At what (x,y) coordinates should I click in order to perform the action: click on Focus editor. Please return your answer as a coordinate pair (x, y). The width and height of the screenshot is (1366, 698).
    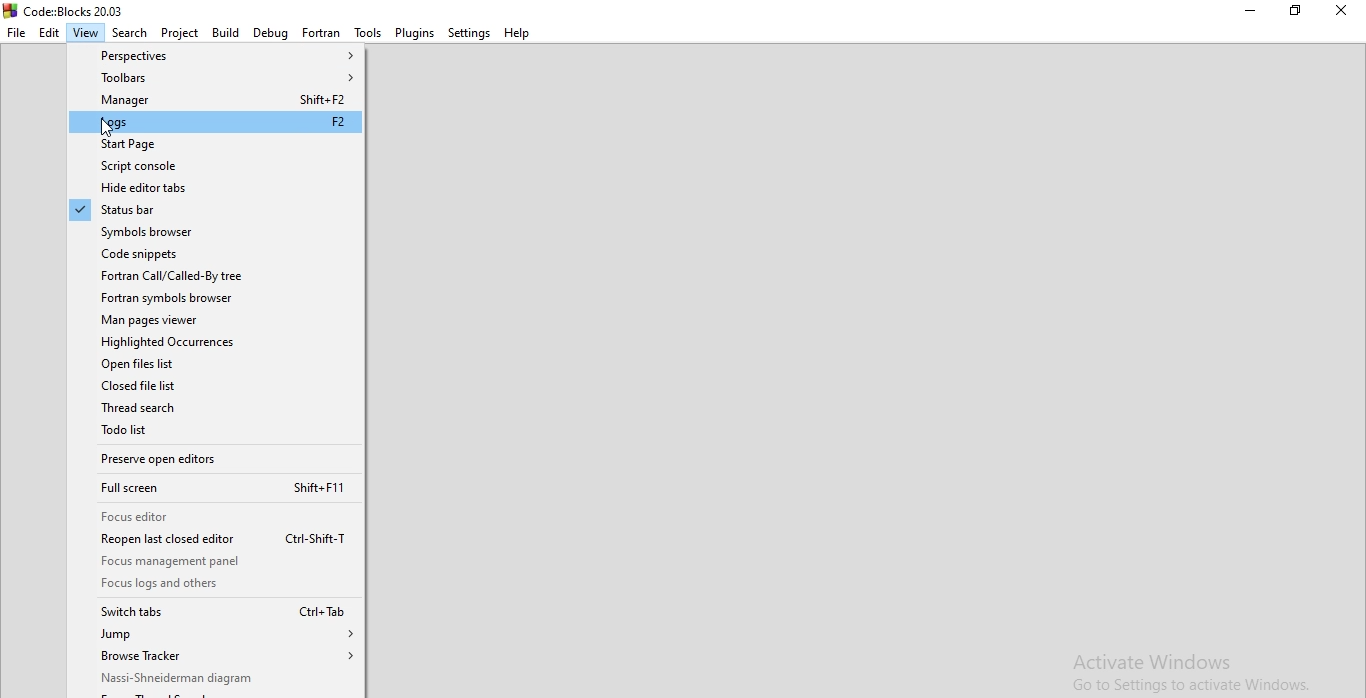
    Looking at the image, I should click on (216, 516).